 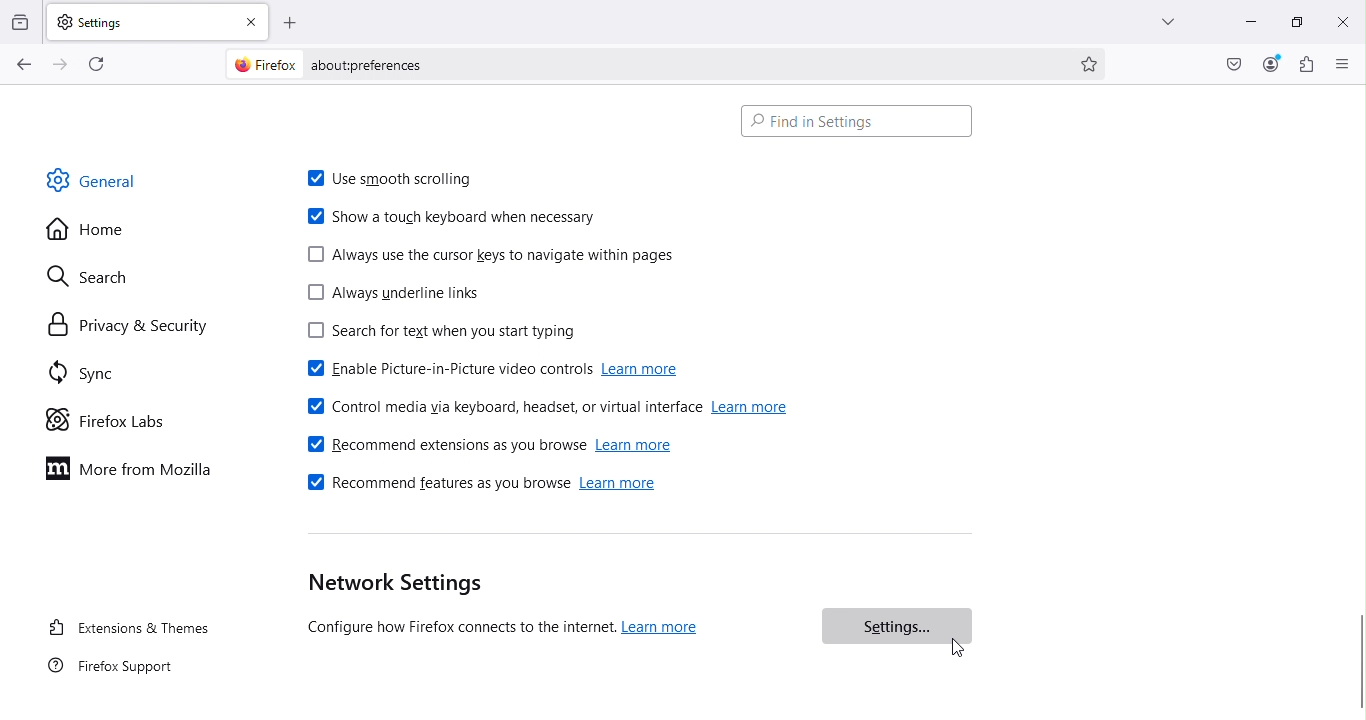 I want to click on Reload the current page, so click(x=93, y=63).